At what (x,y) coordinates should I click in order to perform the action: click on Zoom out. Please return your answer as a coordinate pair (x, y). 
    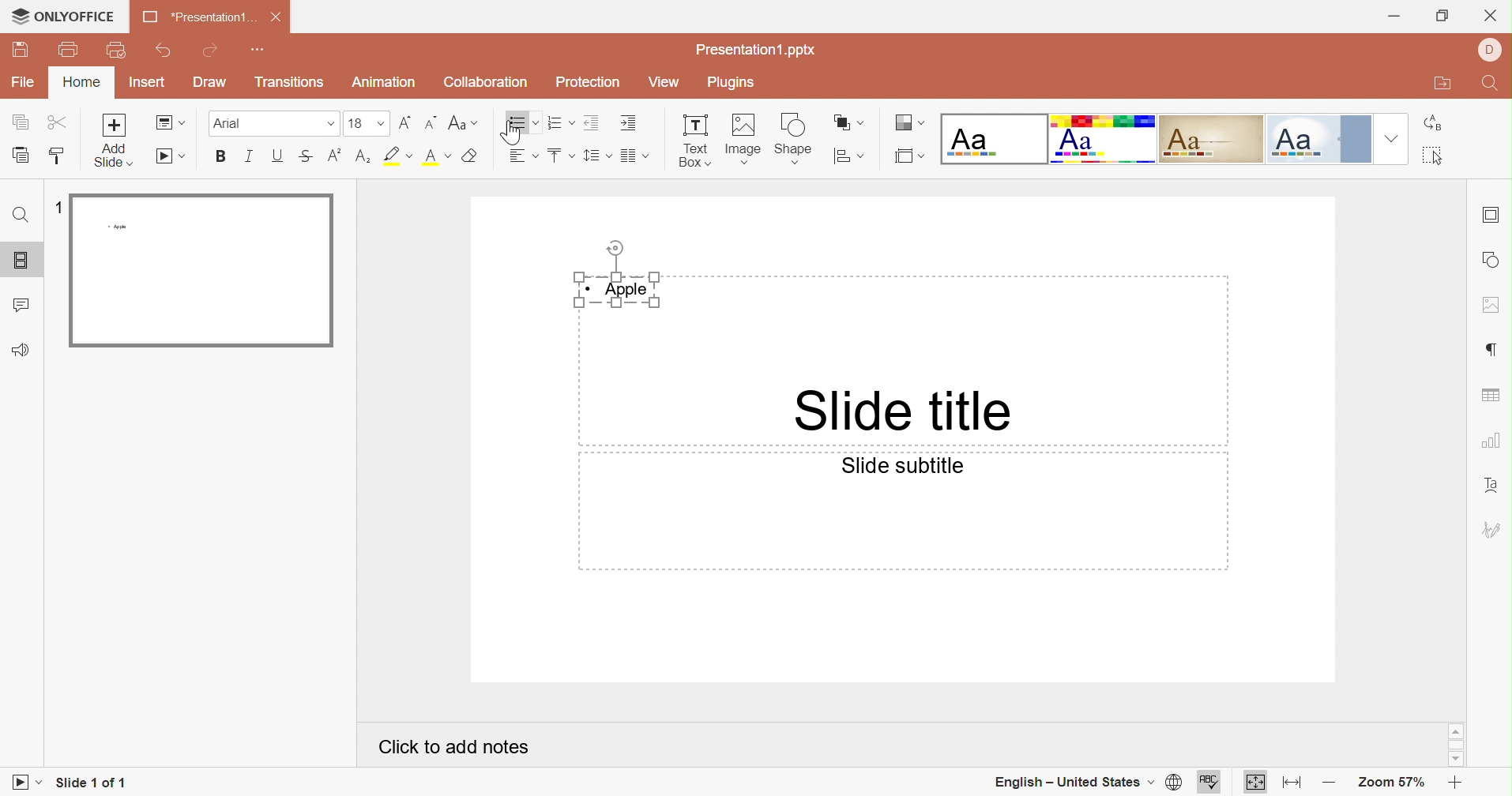
    Looking at the image, I should click on (1330, 782).